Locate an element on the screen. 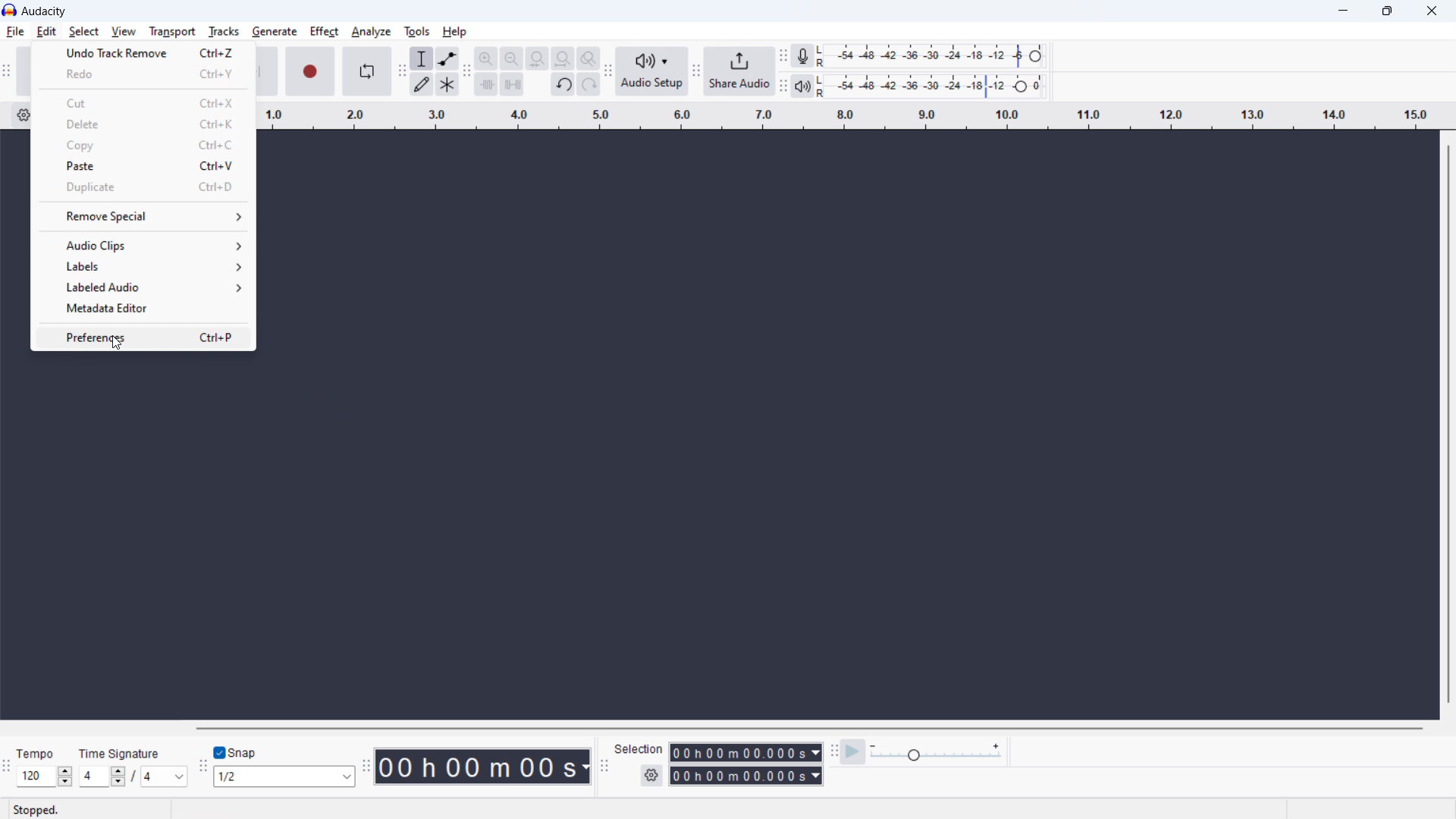 The image size is (1456, 819). record is located at coordinates (310, 71).